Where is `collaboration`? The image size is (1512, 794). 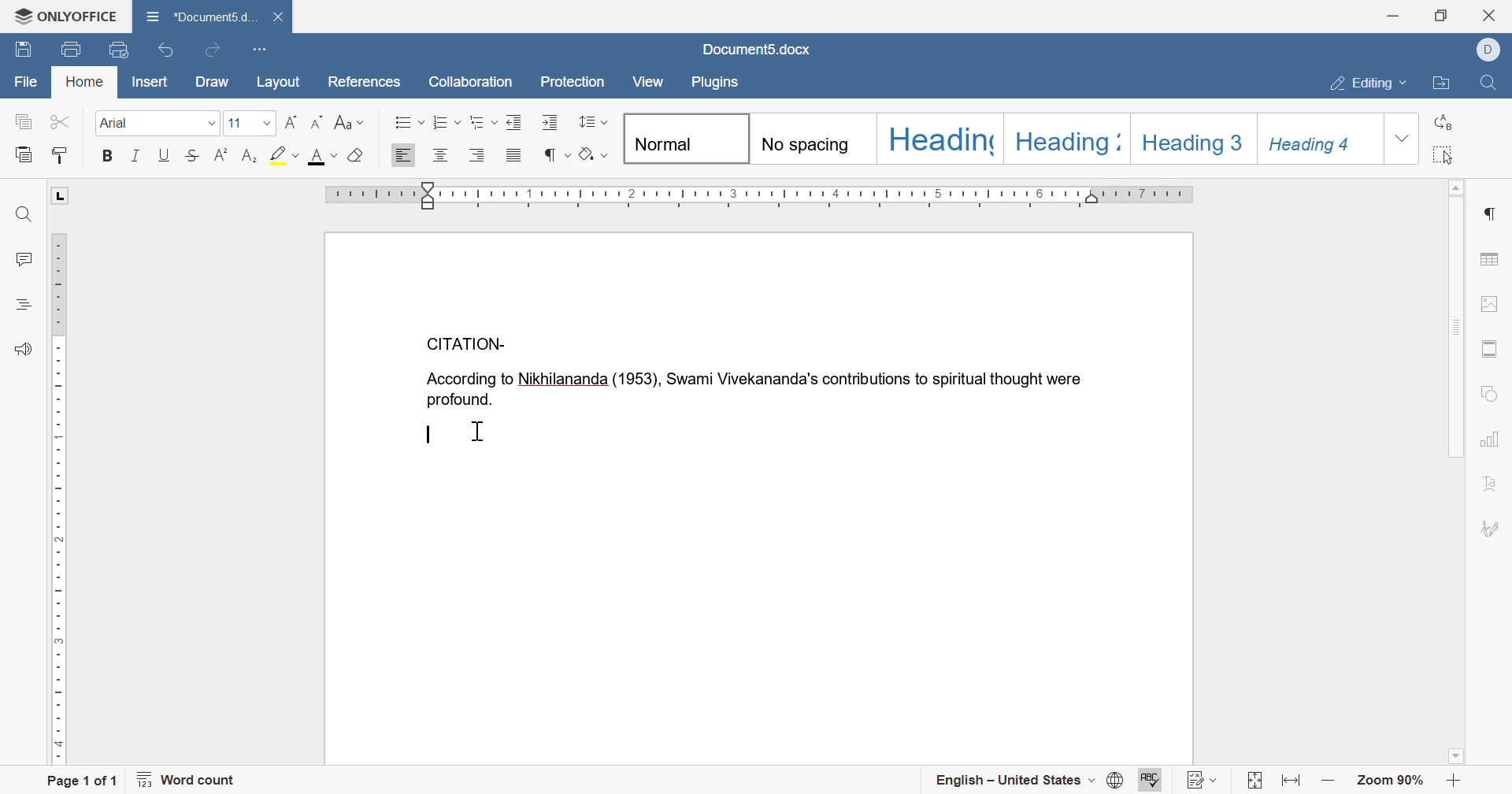
collaboration is located at coordinates (471, 83).